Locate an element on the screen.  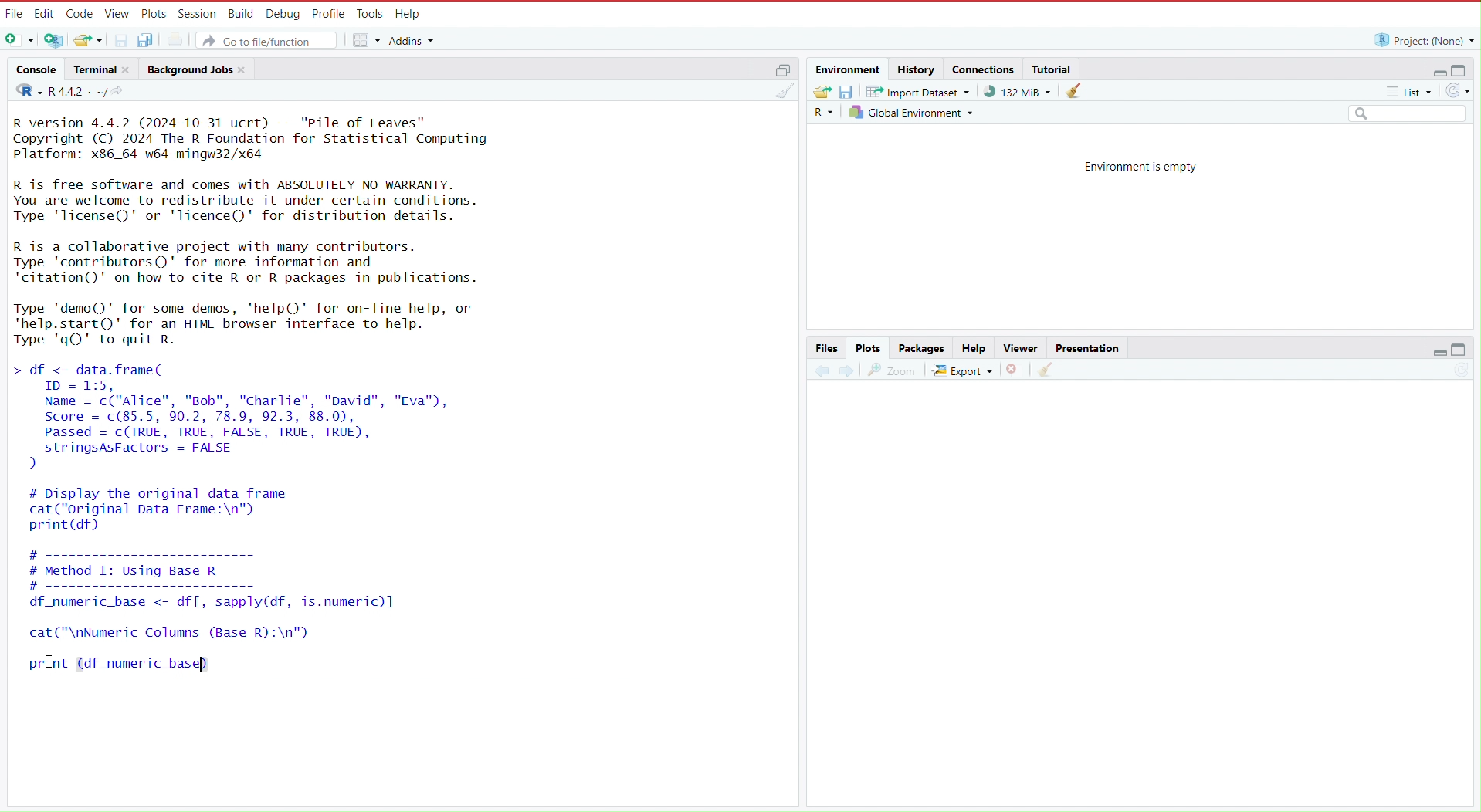
Build is located at coordinates (240, 12).